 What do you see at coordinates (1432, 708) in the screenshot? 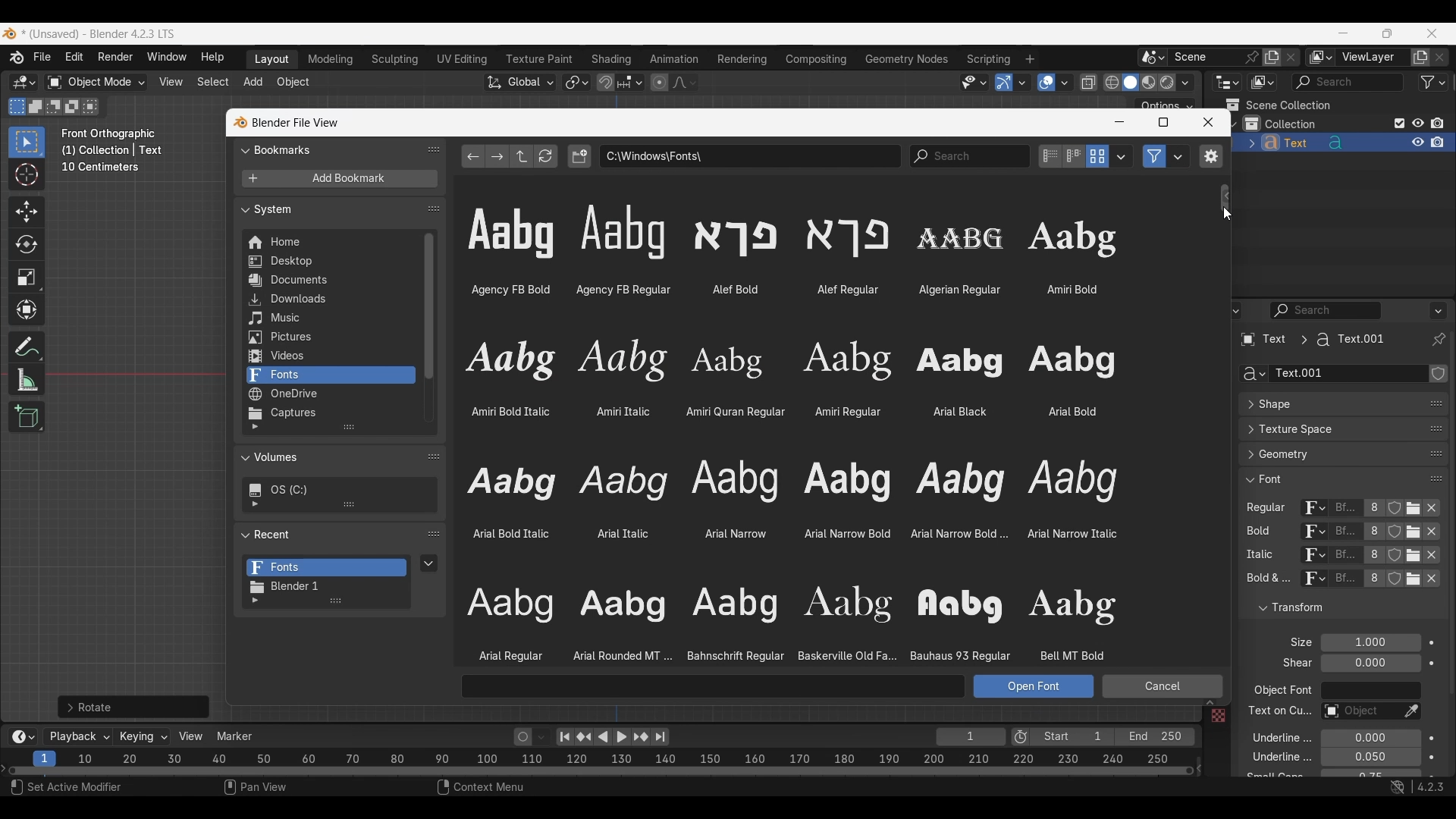
I see `Animate property of respective attribute` at bounding box center [1432, 708].